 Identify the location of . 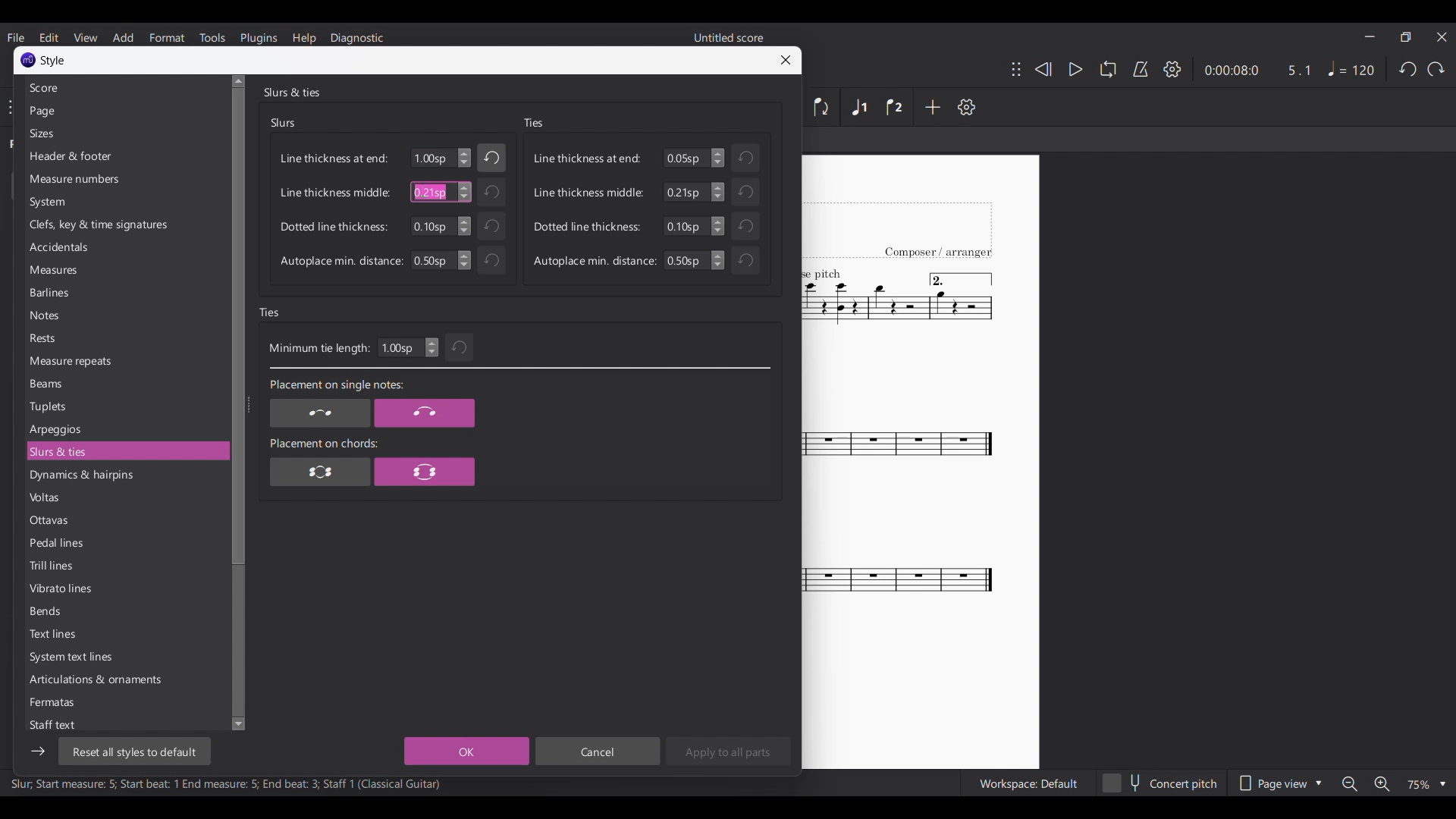
(431, 260).